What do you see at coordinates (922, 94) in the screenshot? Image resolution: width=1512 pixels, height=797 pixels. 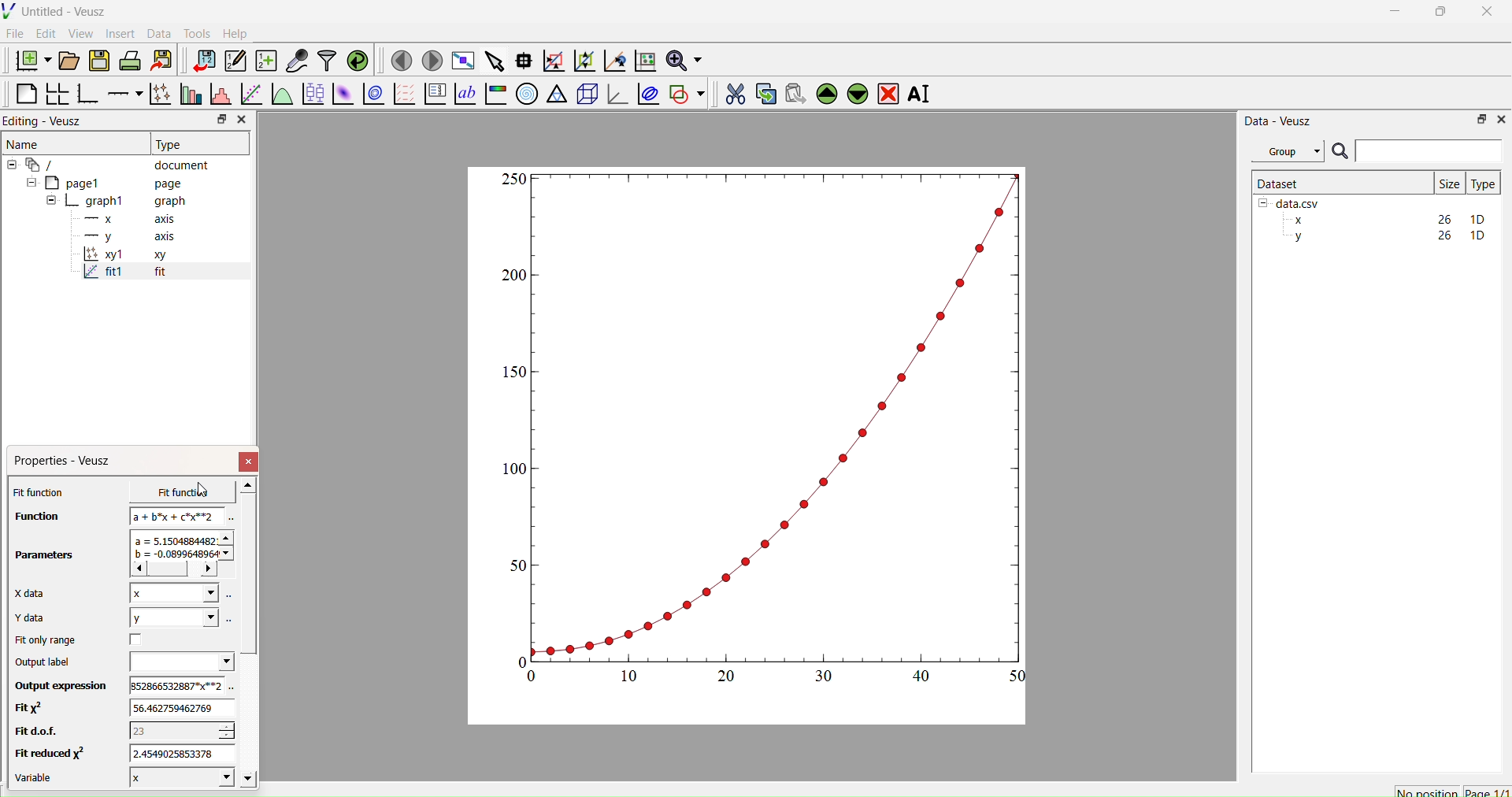 I see `Rename` at bounding box center [922, 94].